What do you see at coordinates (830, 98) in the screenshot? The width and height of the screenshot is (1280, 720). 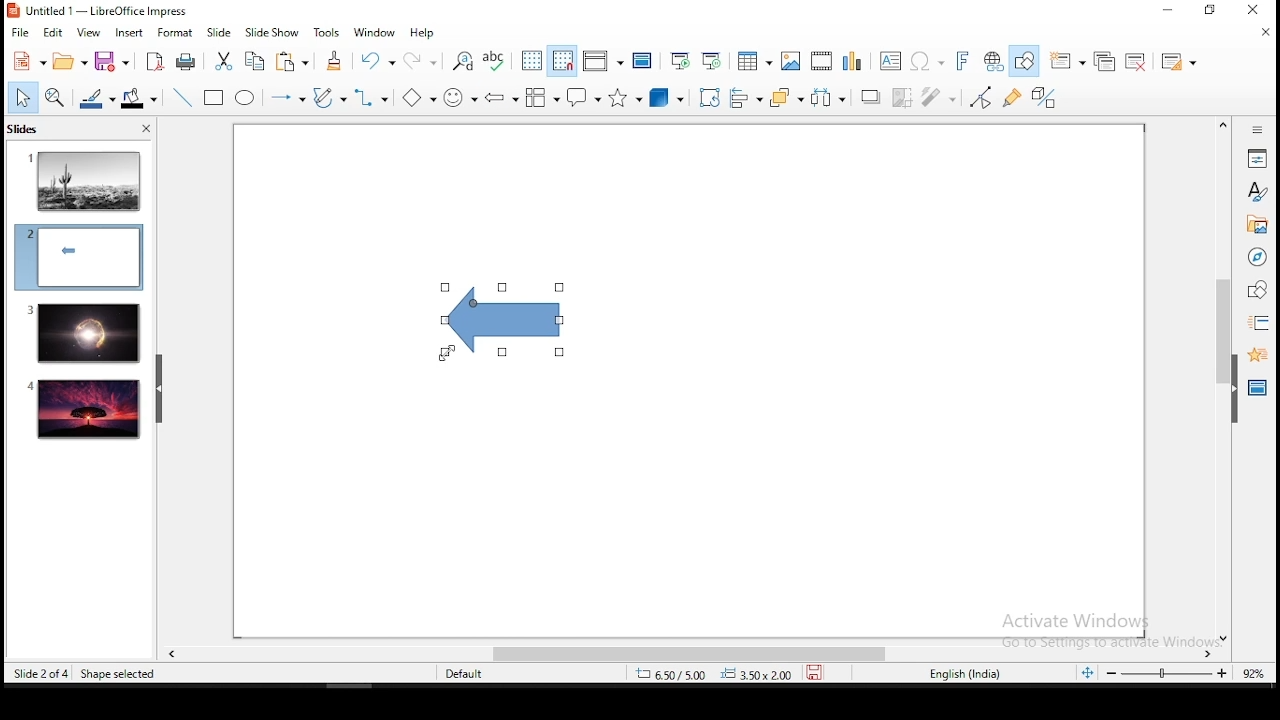 I see `distribute` at bounding box center [830, 98].